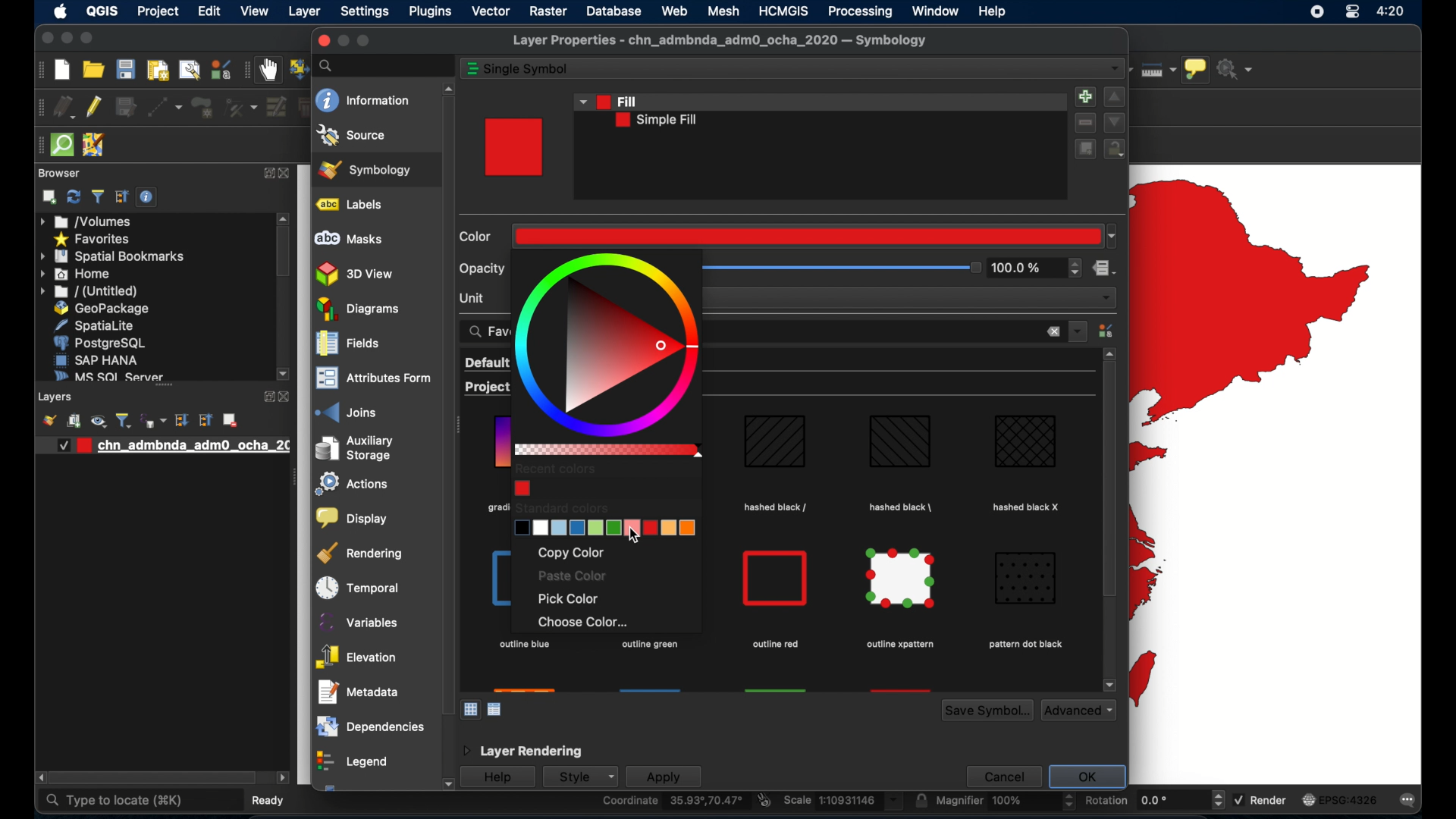 This screenshot has width=1456, height=819. What do you see at coordinates (350, 519) in the screenshot?
I see `display` at bounding box center [350, 519].